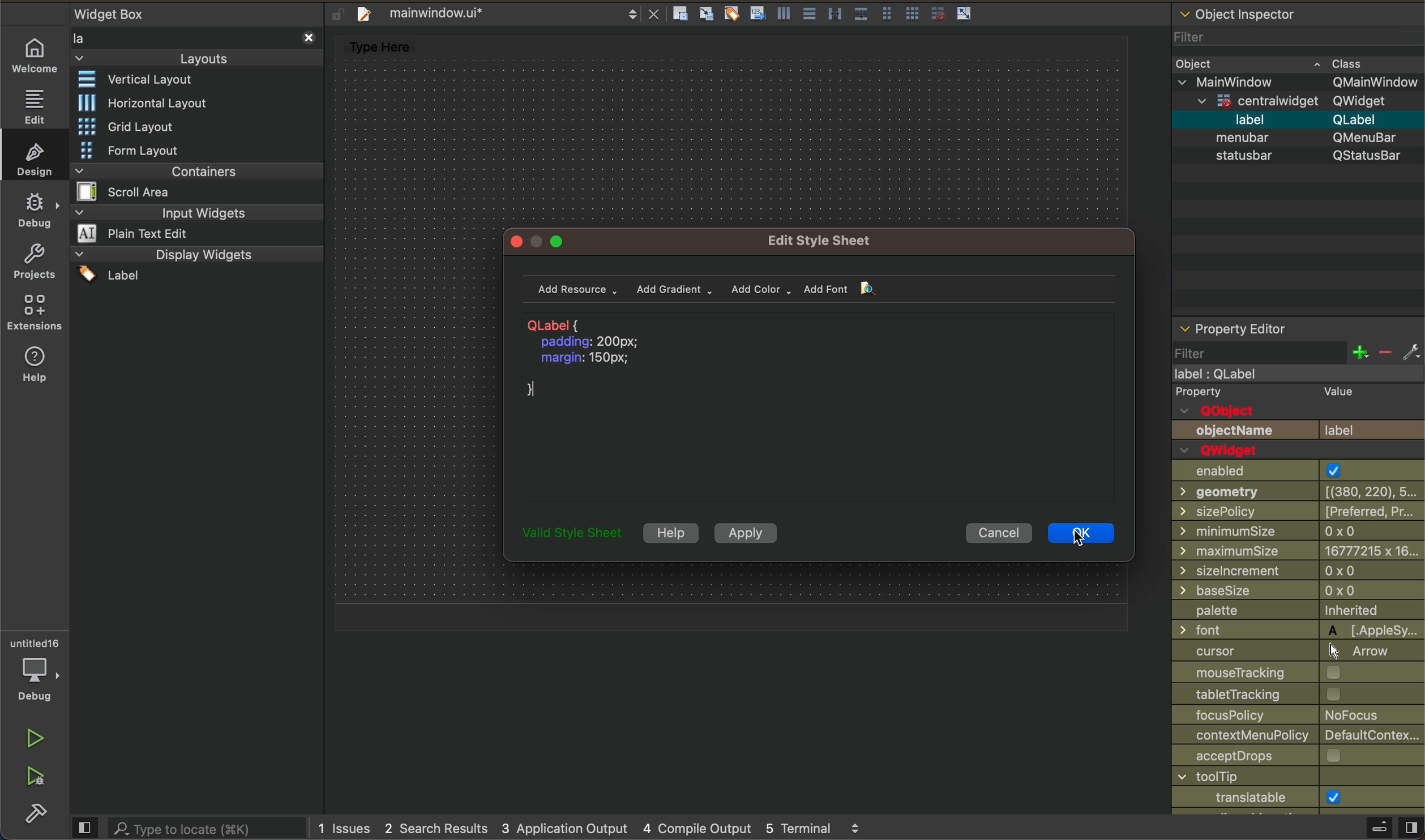 This screenshot has height=840, width=1425. What do you see at coordinates (1281, 64) in the screenshot?
I see `object` at bounding box center [1281, 64].